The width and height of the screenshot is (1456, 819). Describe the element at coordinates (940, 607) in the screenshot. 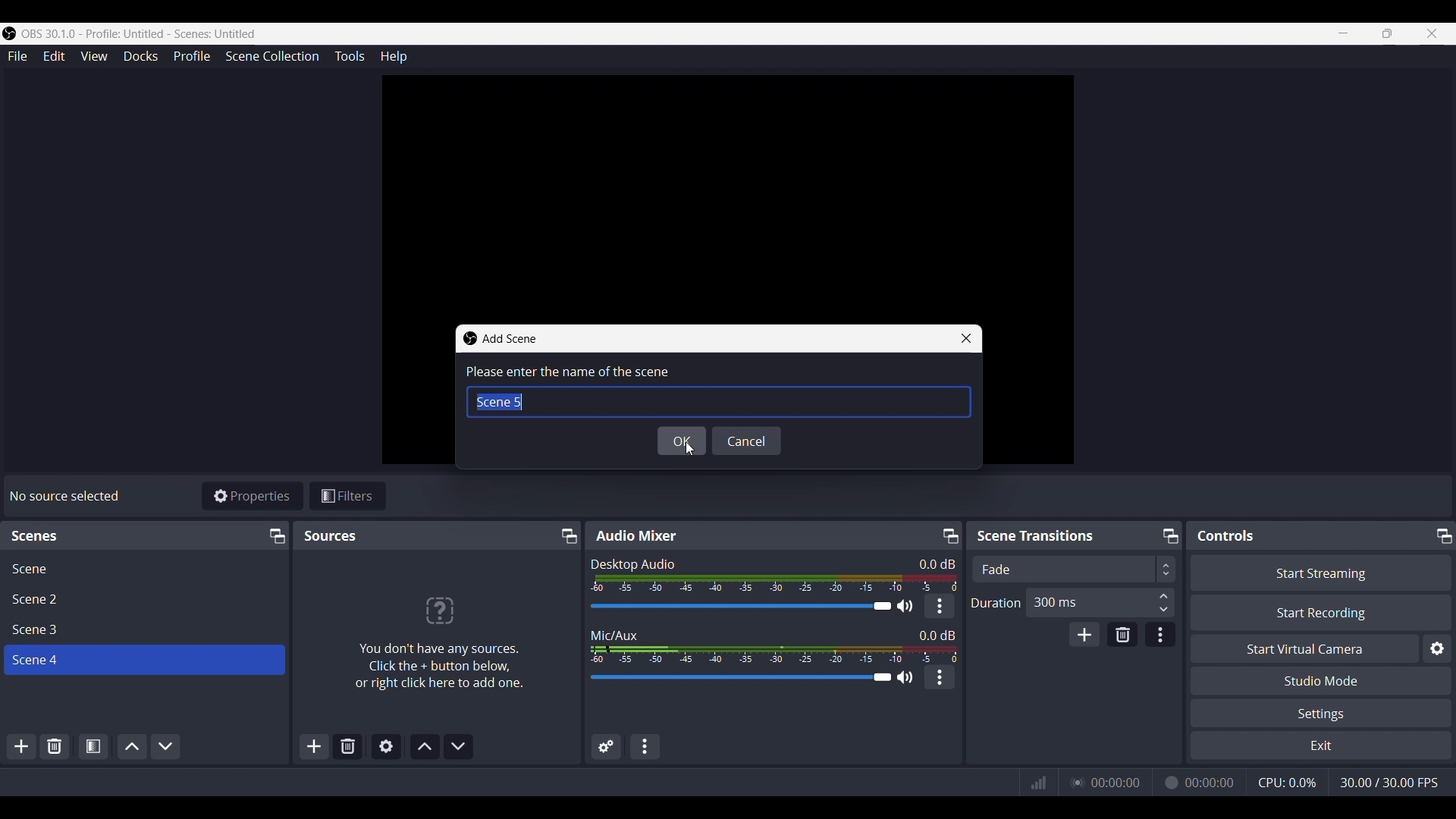

I see `More` at that location.